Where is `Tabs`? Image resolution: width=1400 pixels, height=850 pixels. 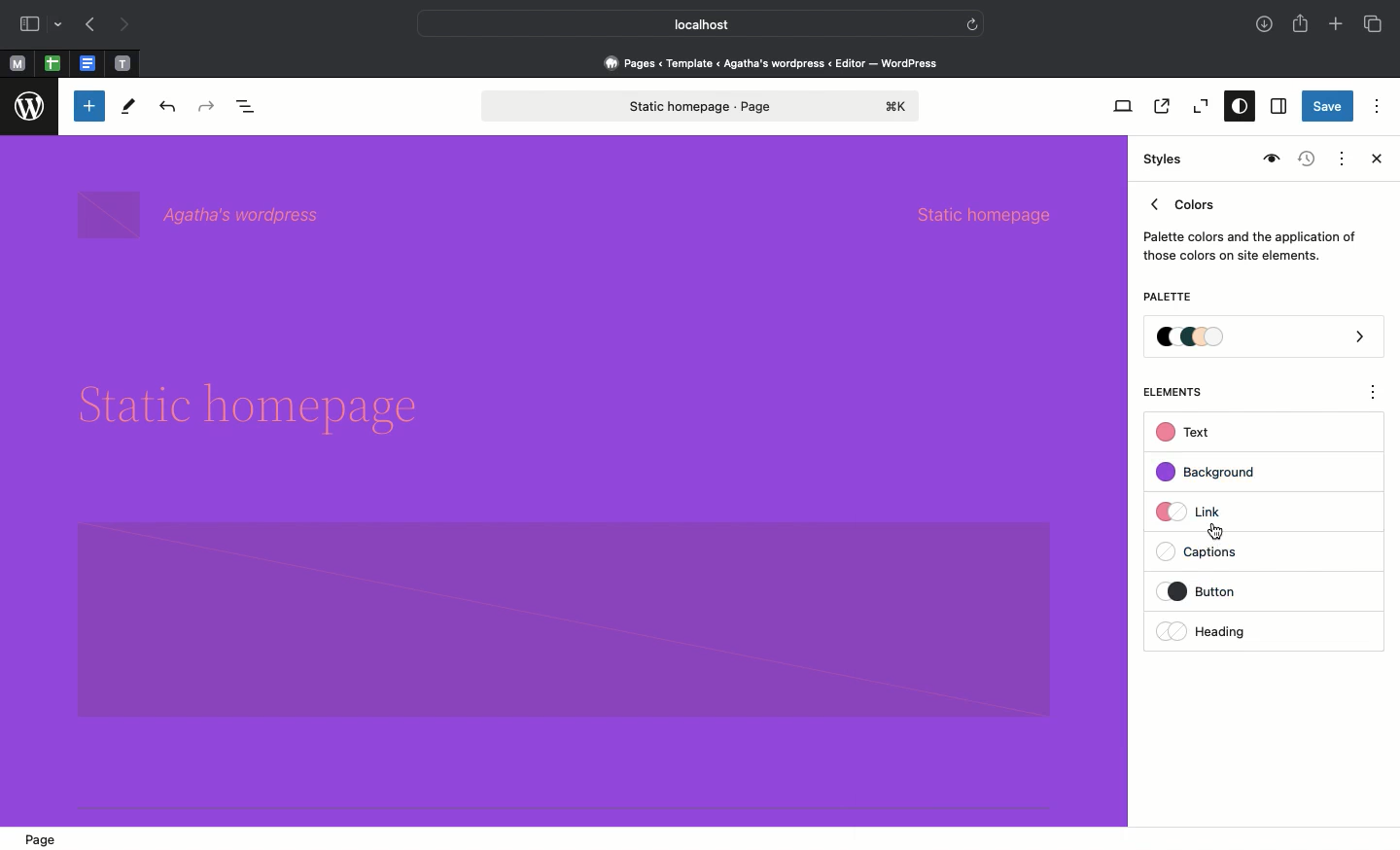
Tabs is located at coordinates (1375, 24).